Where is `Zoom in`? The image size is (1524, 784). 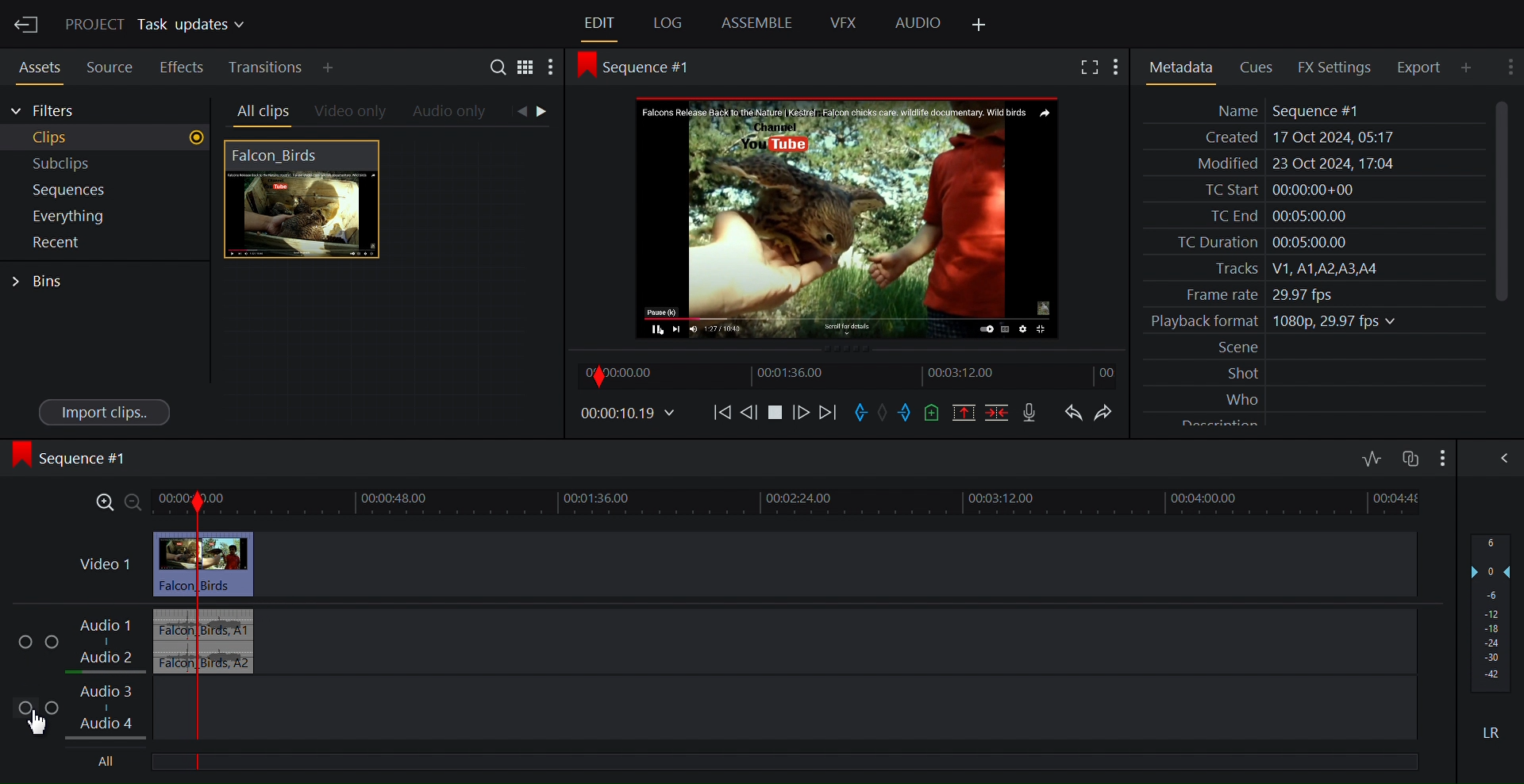
Zoom in is located at coordinates (98, 505).